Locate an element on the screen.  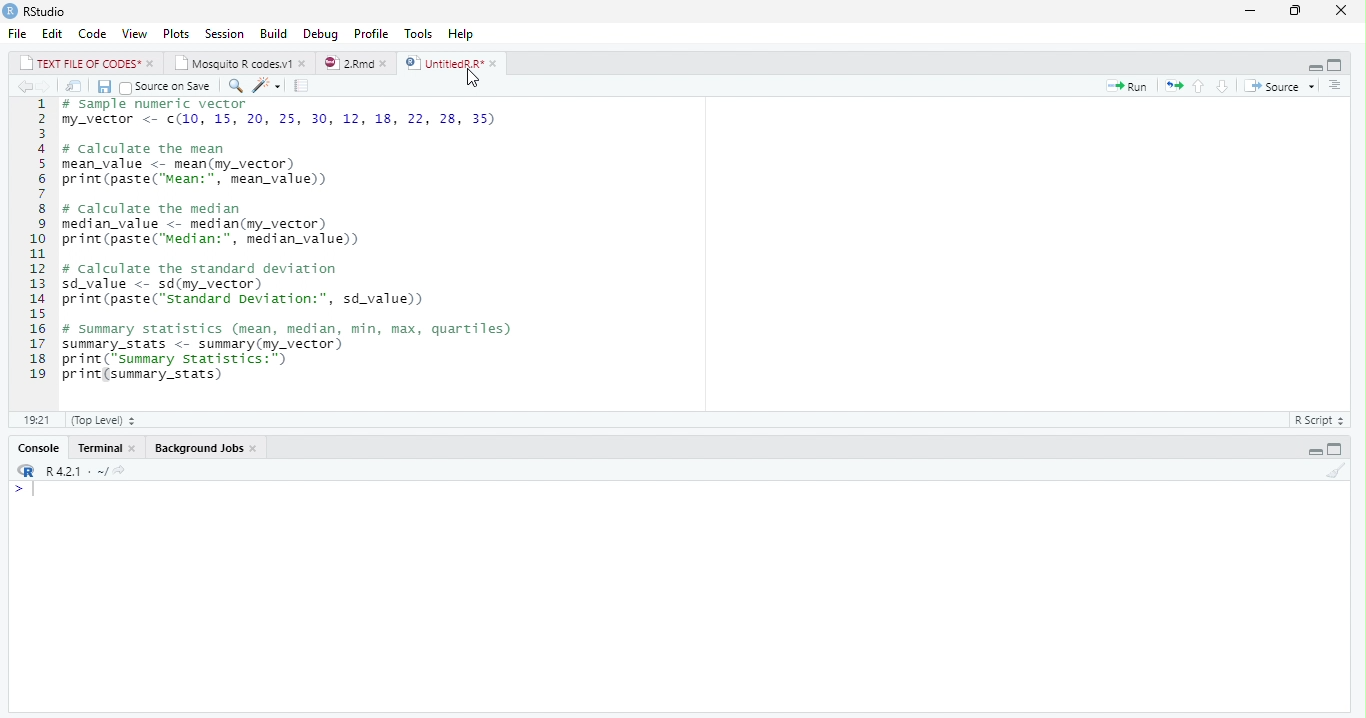
previous section is located at coordinates (1199, 87).